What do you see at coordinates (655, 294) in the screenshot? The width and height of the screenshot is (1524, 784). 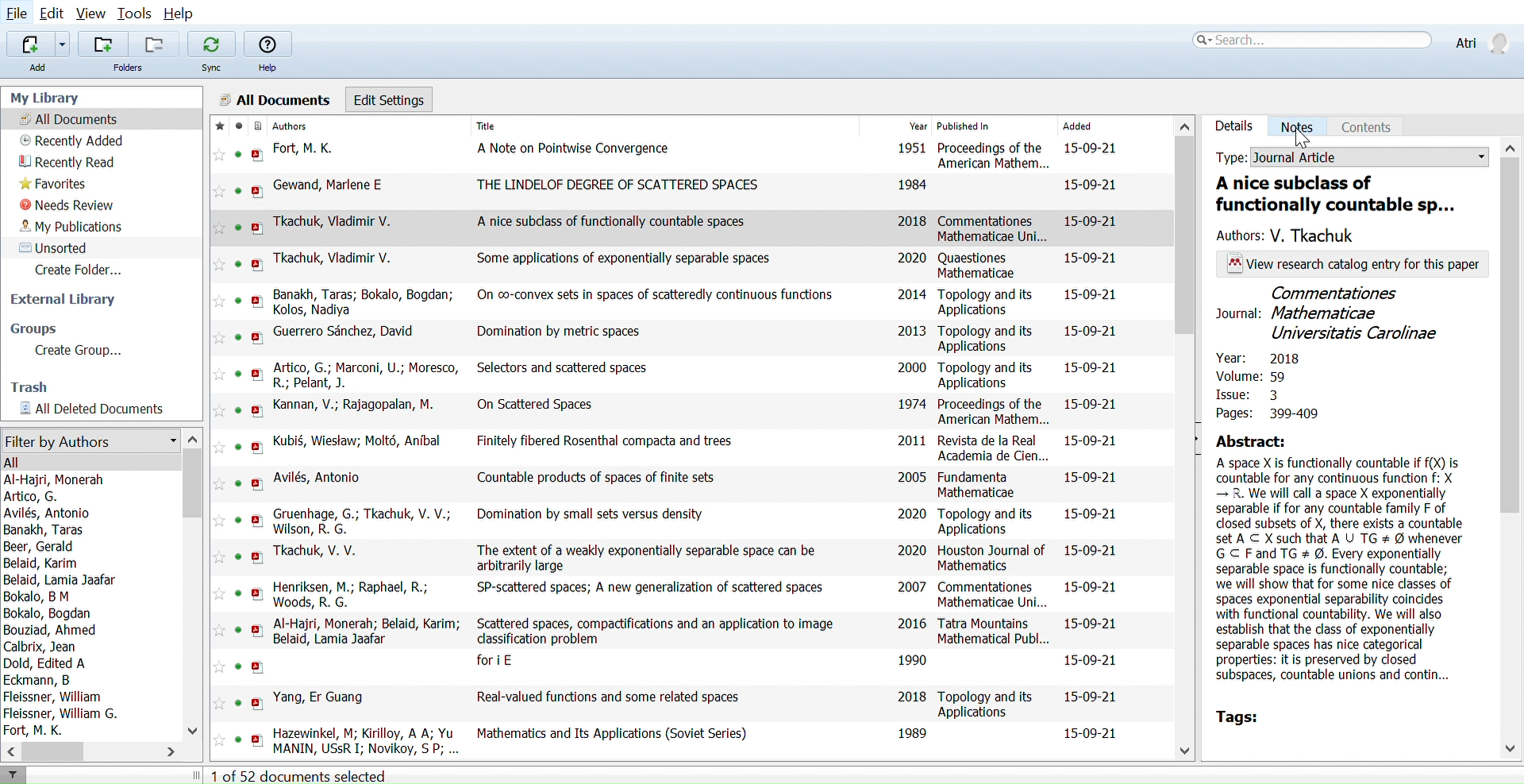 I see `On co-convex sets in spaces of scatteredly continuous functions` at bounding box center [655, 294].